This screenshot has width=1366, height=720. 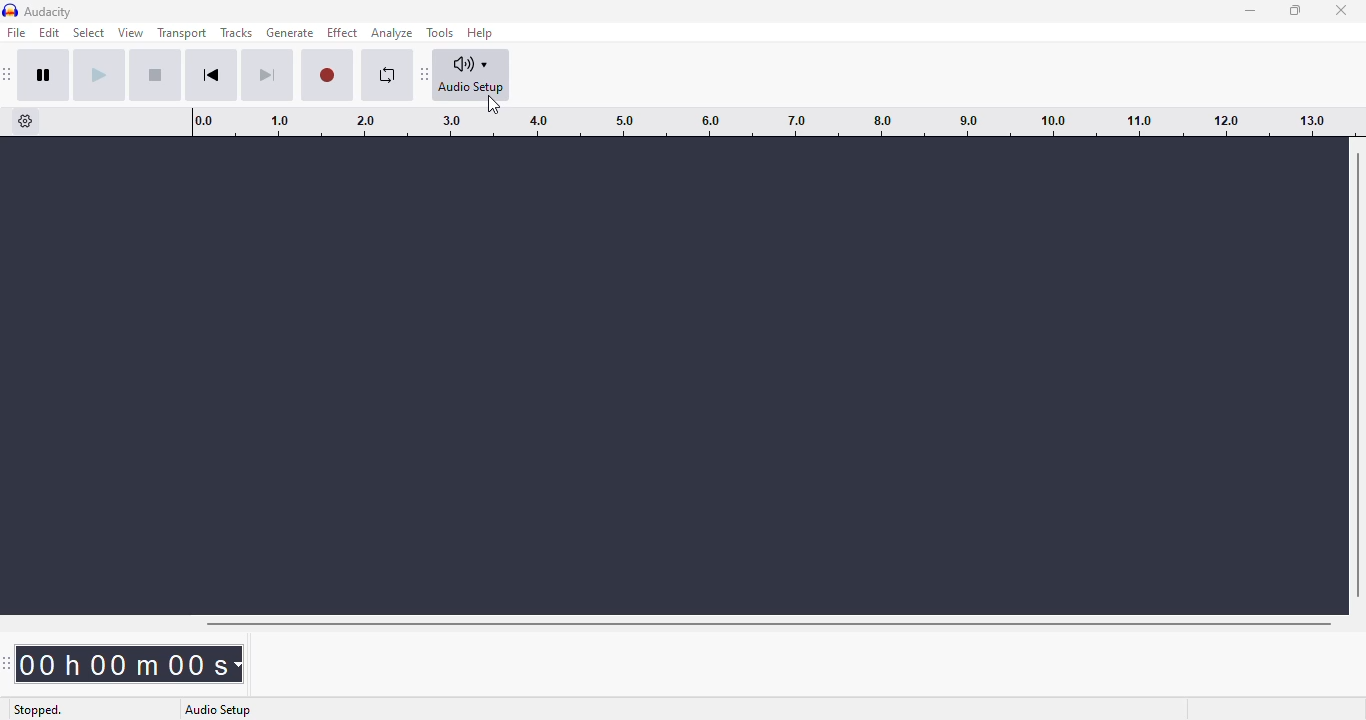 What do you see at coordinates (26, 121) in the screenshot?
I see `timeline options` at bounding box center [26, 121].